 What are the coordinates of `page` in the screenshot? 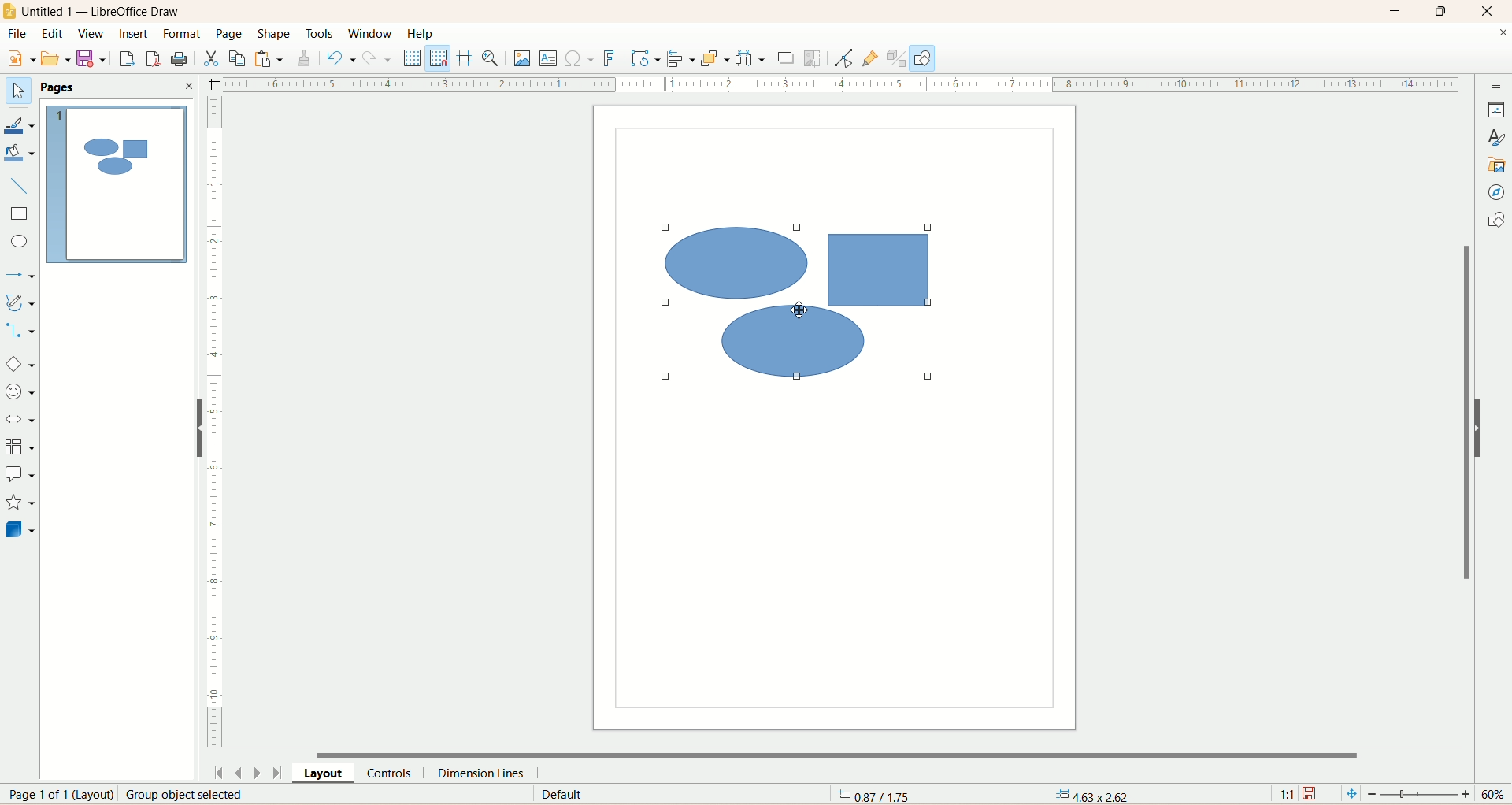 It's located at (53, 796).